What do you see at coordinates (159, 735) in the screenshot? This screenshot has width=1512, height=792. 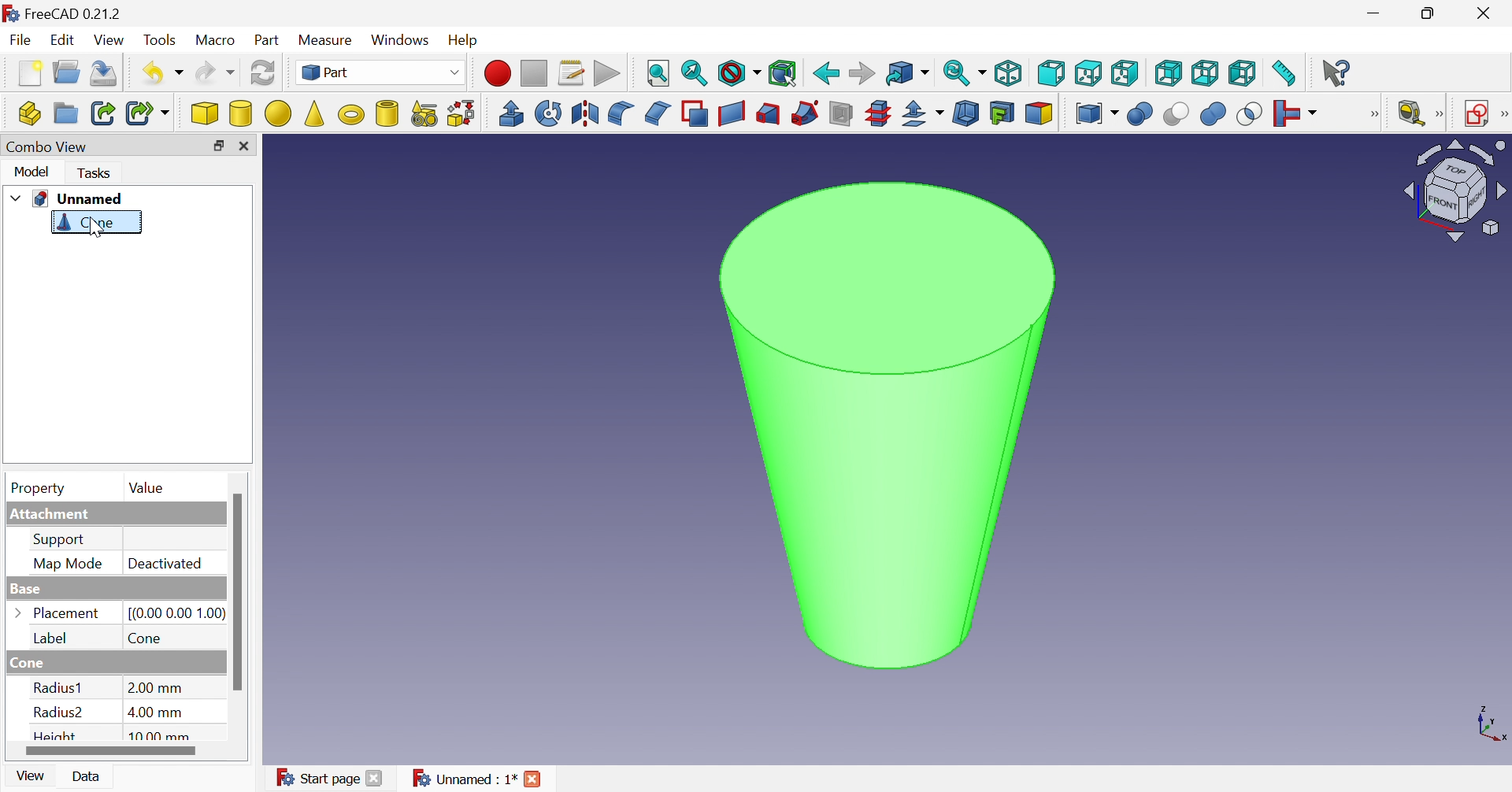 I see `10. mm` at bounding box center [159, 735].